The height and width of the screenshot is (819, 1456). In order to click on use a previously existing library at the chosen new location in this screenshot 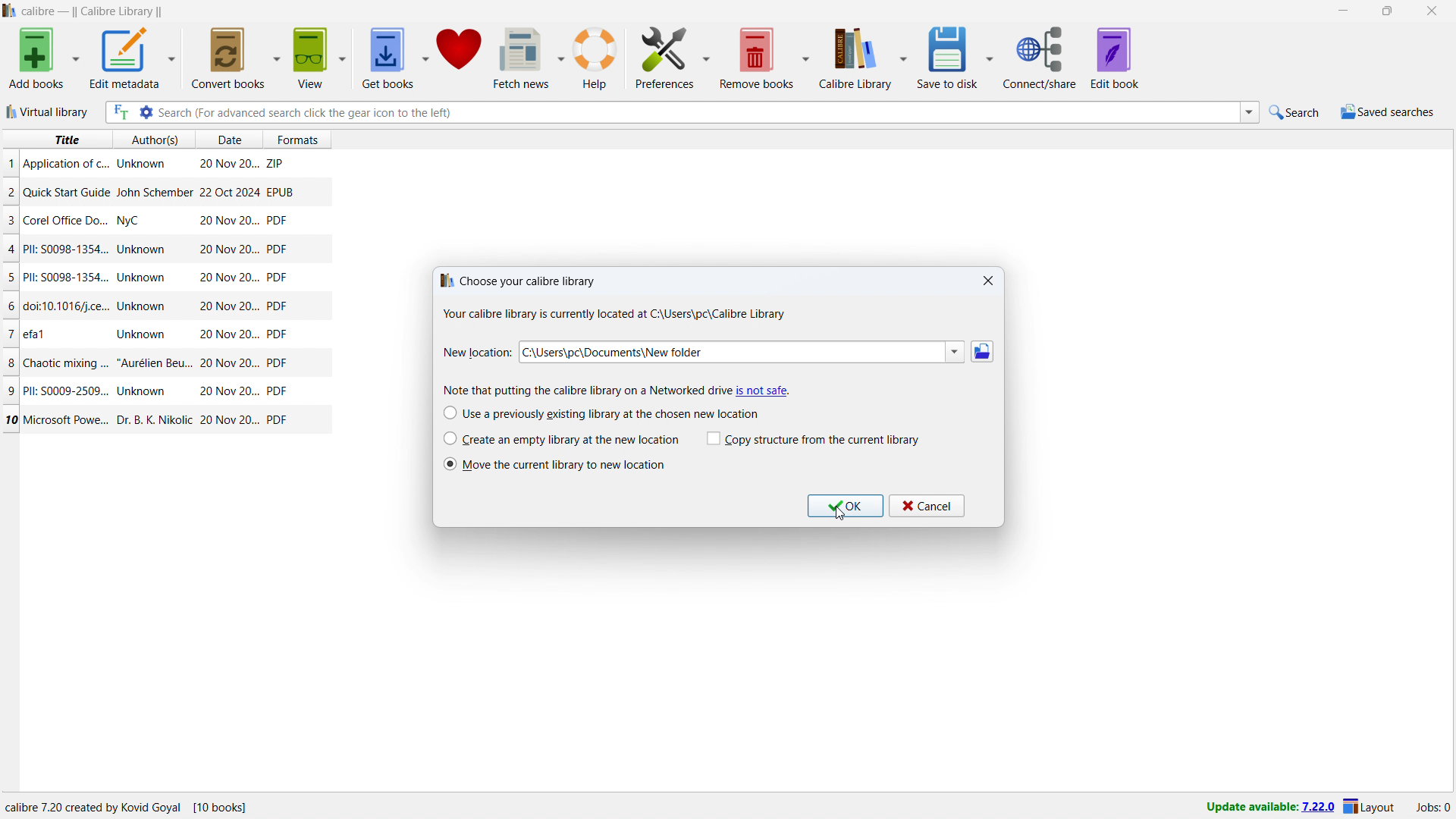, I will do `click(601, 413)`.